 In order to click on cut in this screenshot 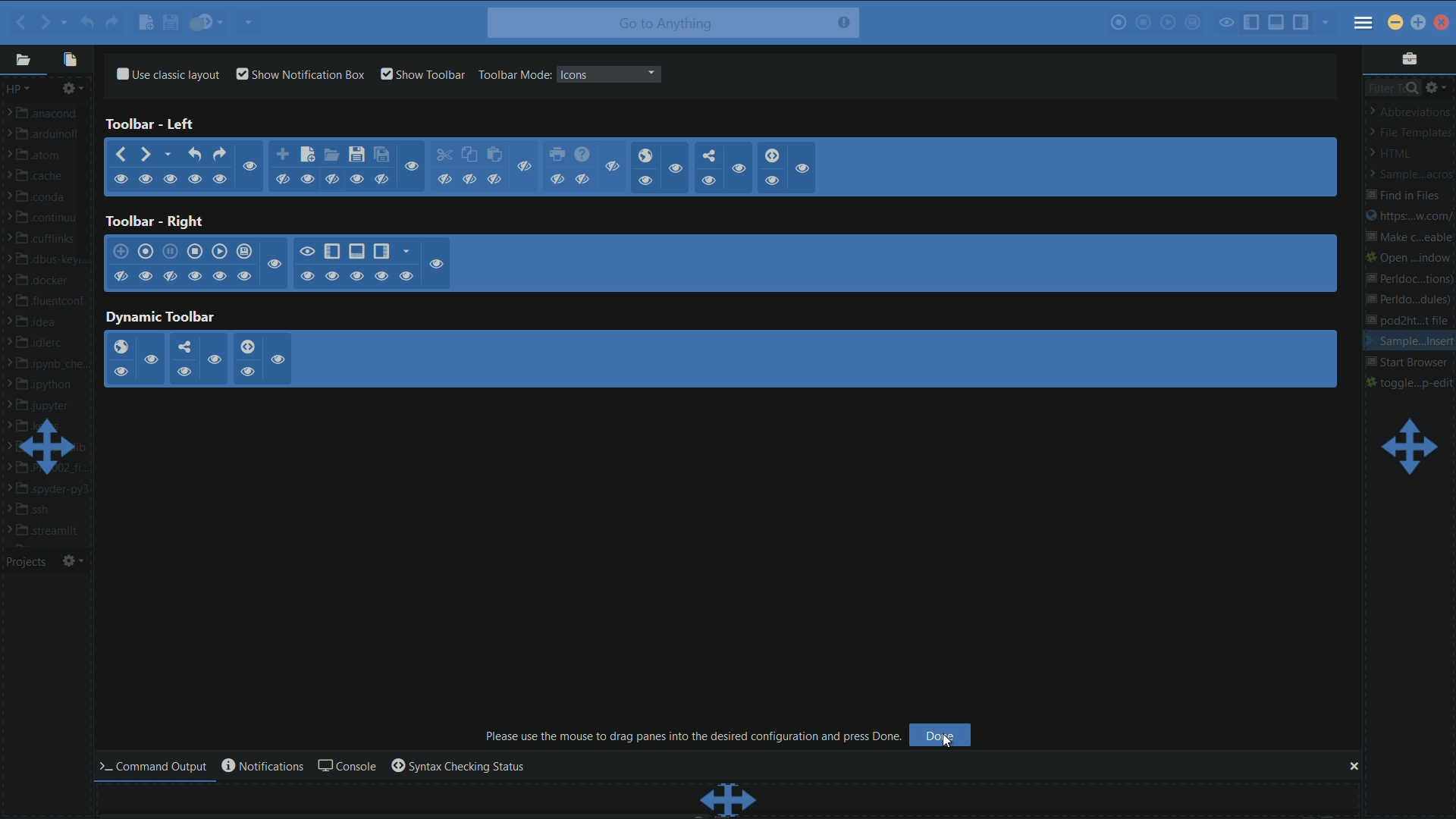, I will do `click(444, 155)`.